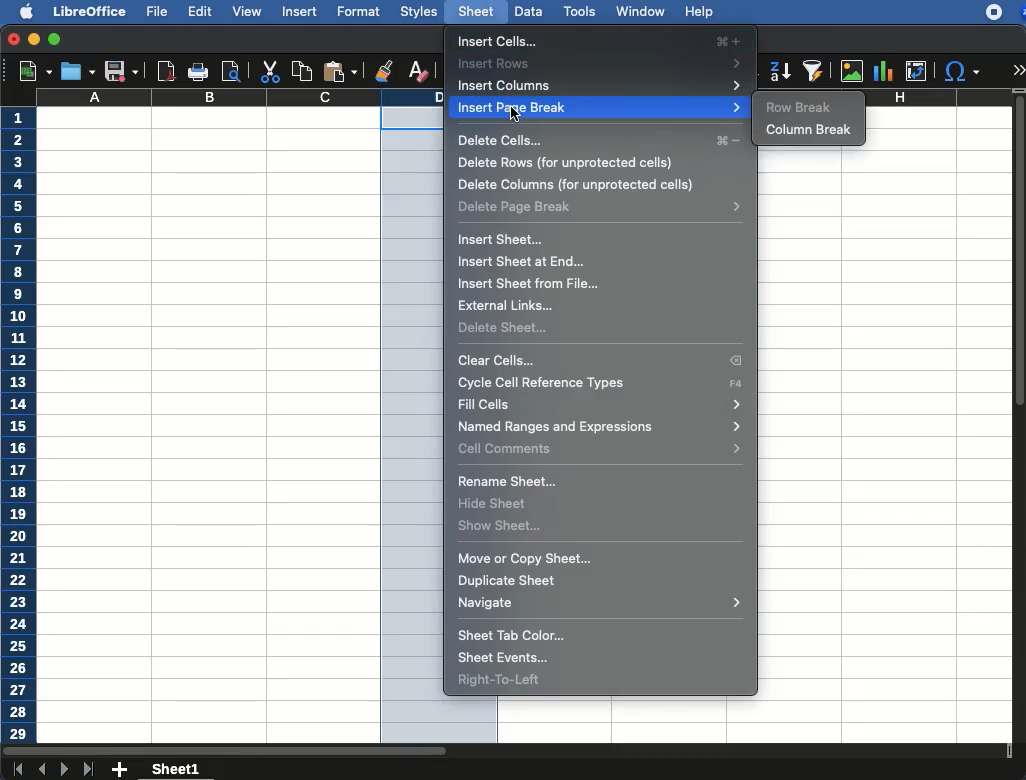 This screenshot has height=780, width=1026. I want to click on delete columns (for unprotected cels), so click(585, 186).